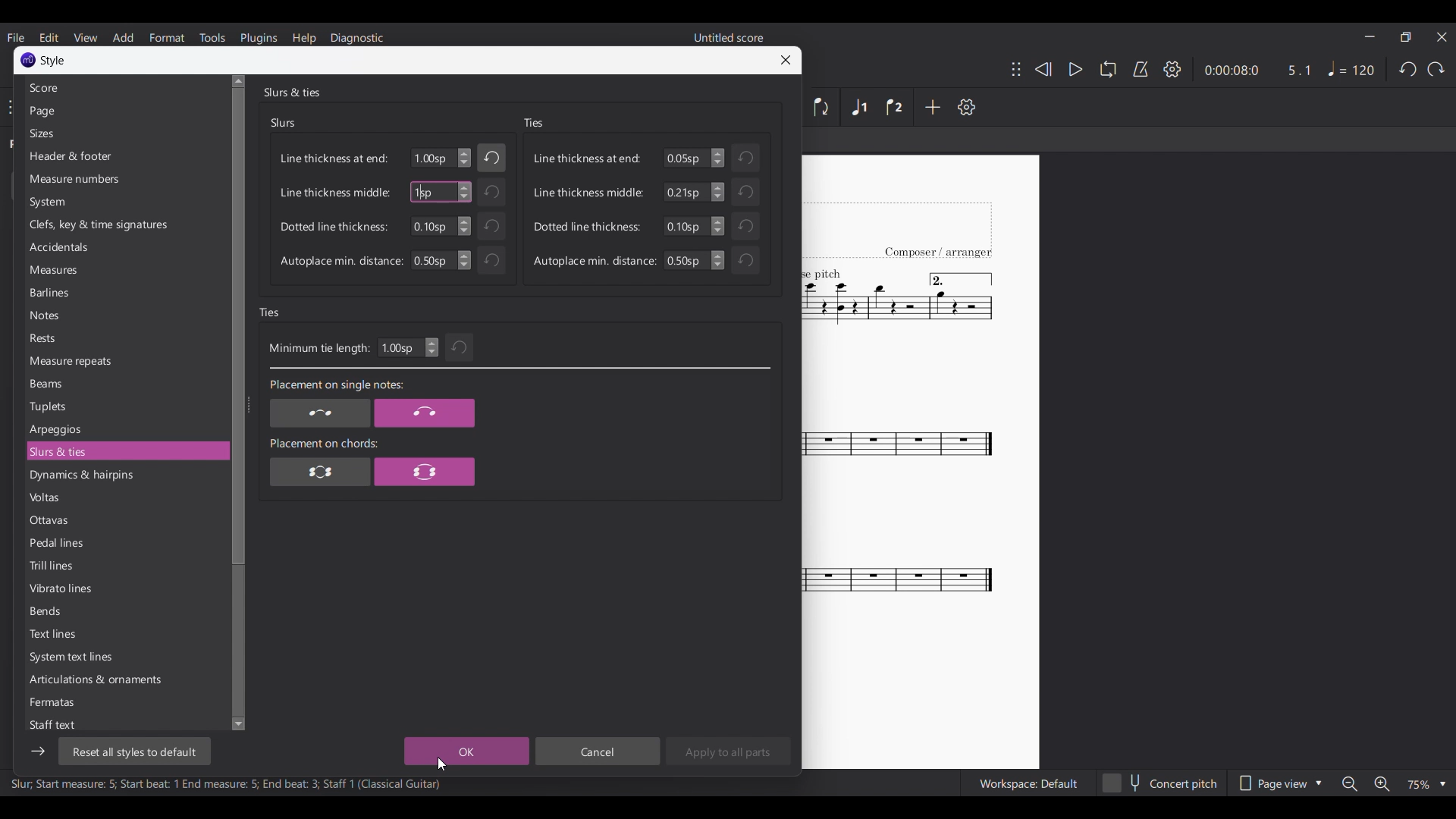  I want to click on File menu, so click(17, 37).